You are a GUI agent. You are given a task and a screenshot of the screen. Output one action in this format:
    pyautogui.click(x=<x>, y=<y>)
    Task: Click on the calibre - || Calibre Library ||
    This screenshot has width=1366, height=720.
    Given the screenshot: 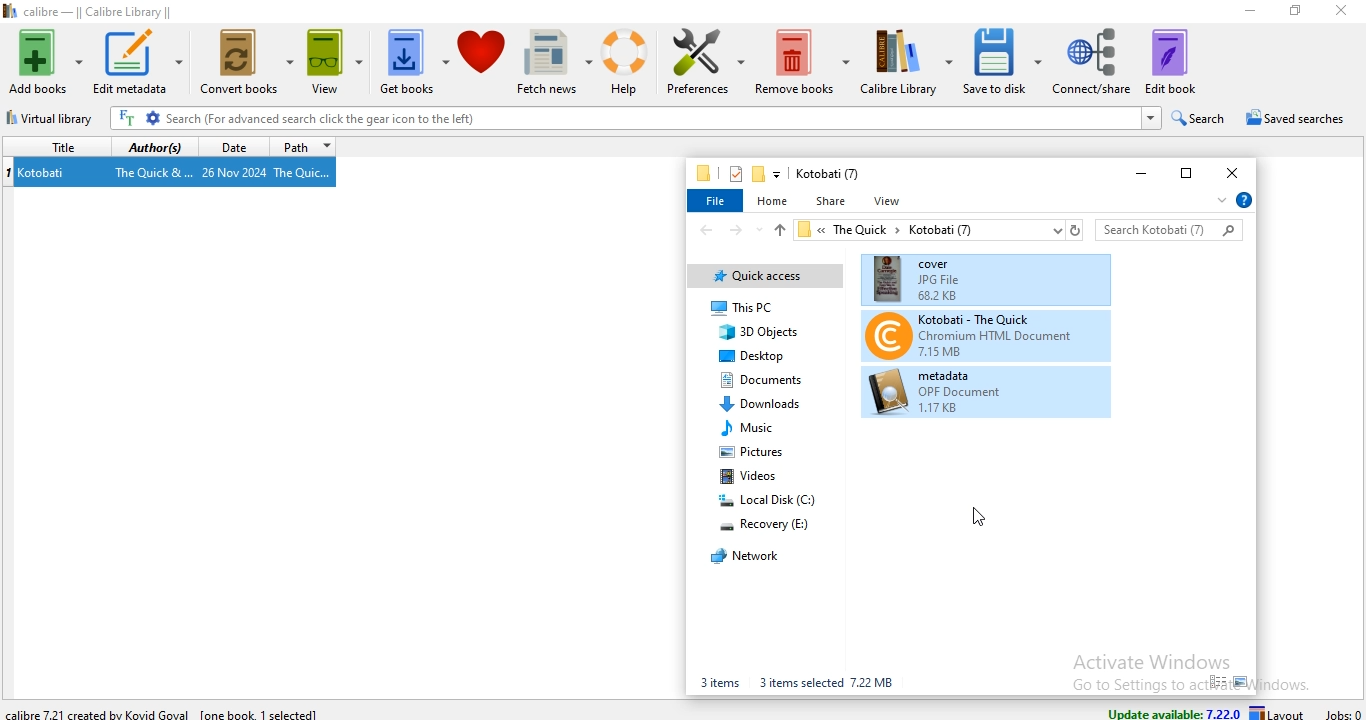 What is the action you would take?
    pyautogui.click(x=97, y=10)
    